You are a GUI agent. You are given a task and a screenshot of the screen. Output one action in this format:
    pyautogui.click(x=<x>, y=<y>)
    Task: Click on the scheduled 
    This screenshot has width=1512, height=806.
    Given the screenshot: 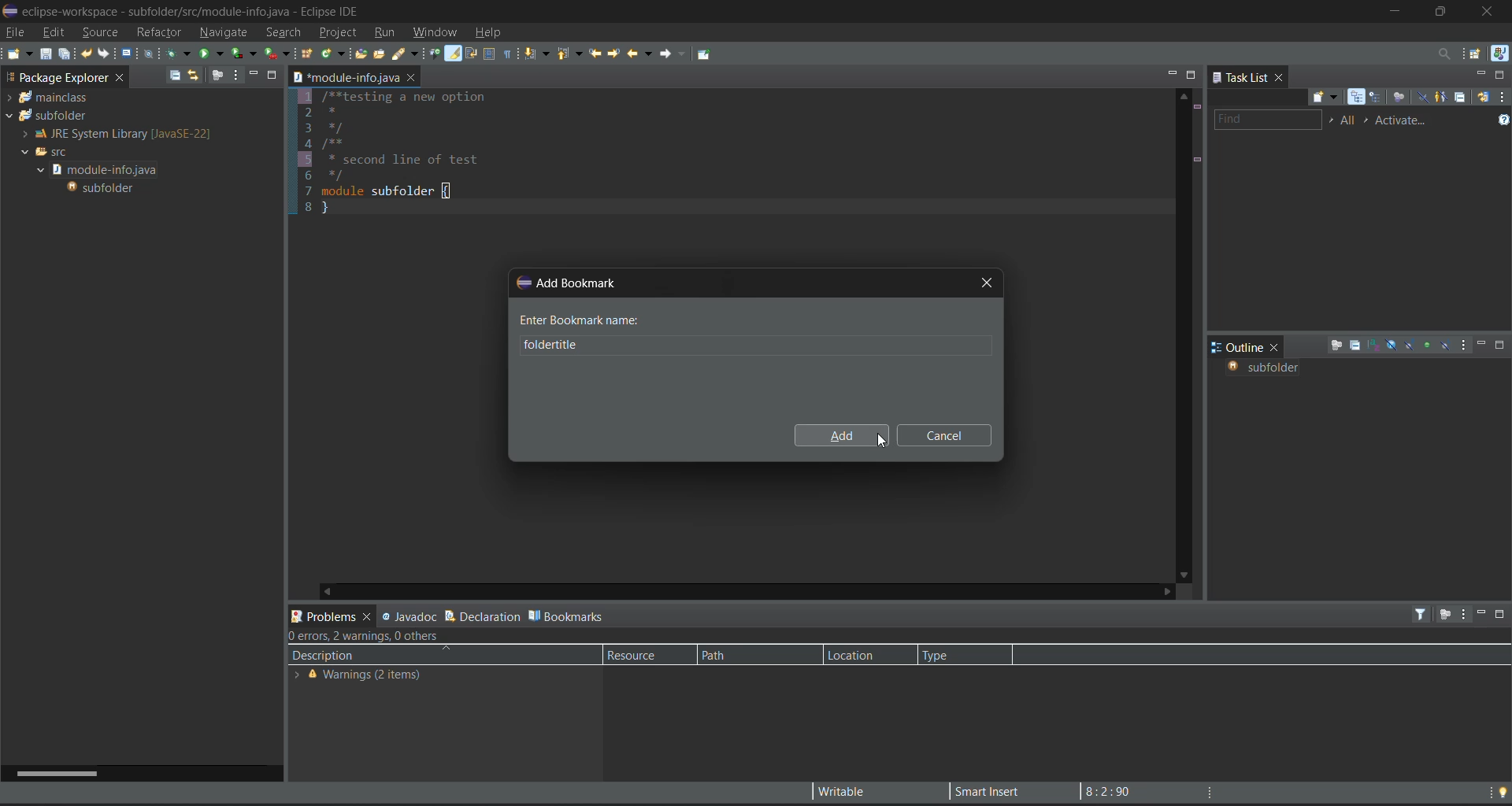 What is the action you would take?
    pyautogui.click(x=1378, y=98)
    